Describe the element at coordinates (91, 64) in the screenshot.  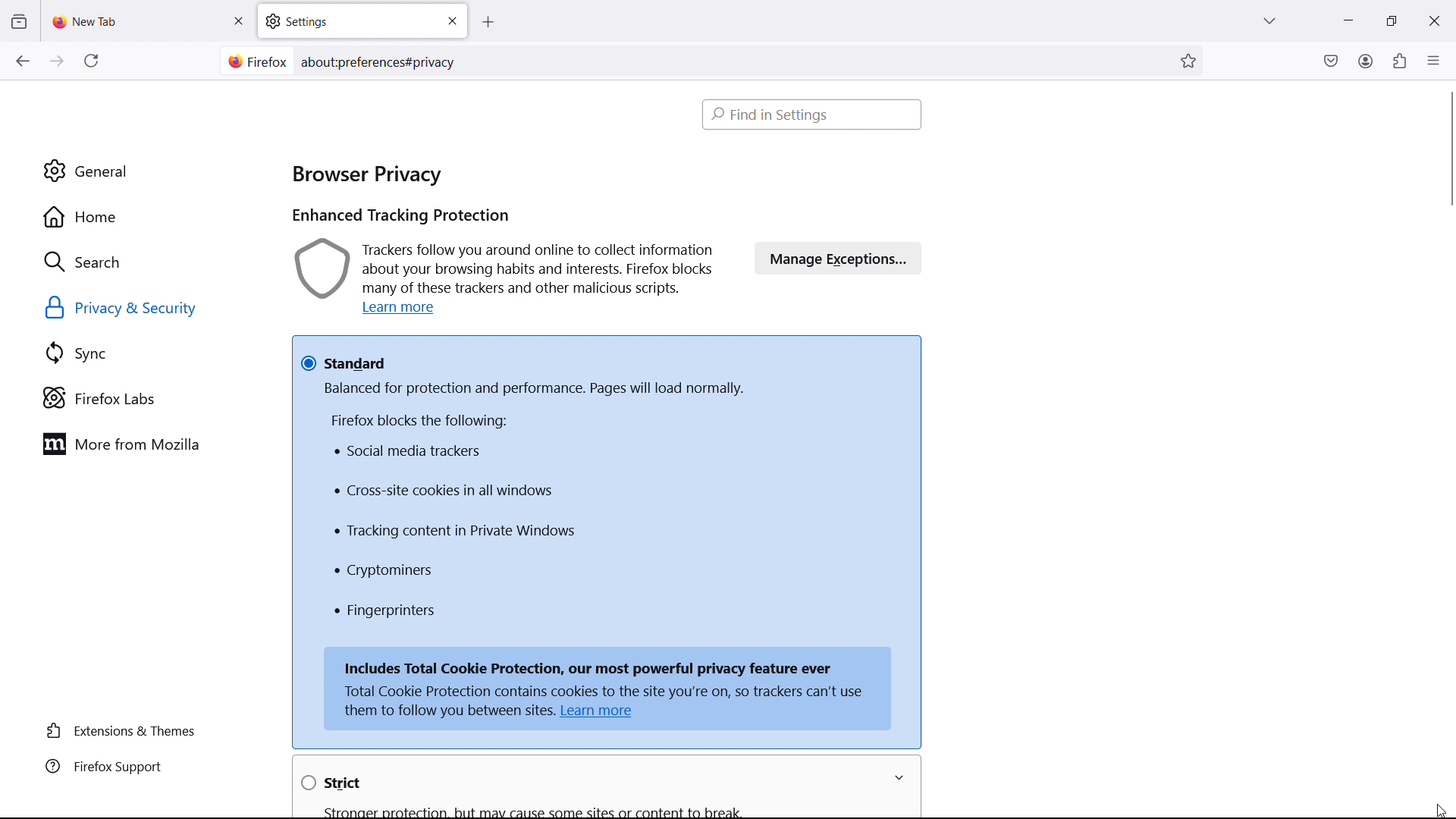
I see `reload current page` at that location.